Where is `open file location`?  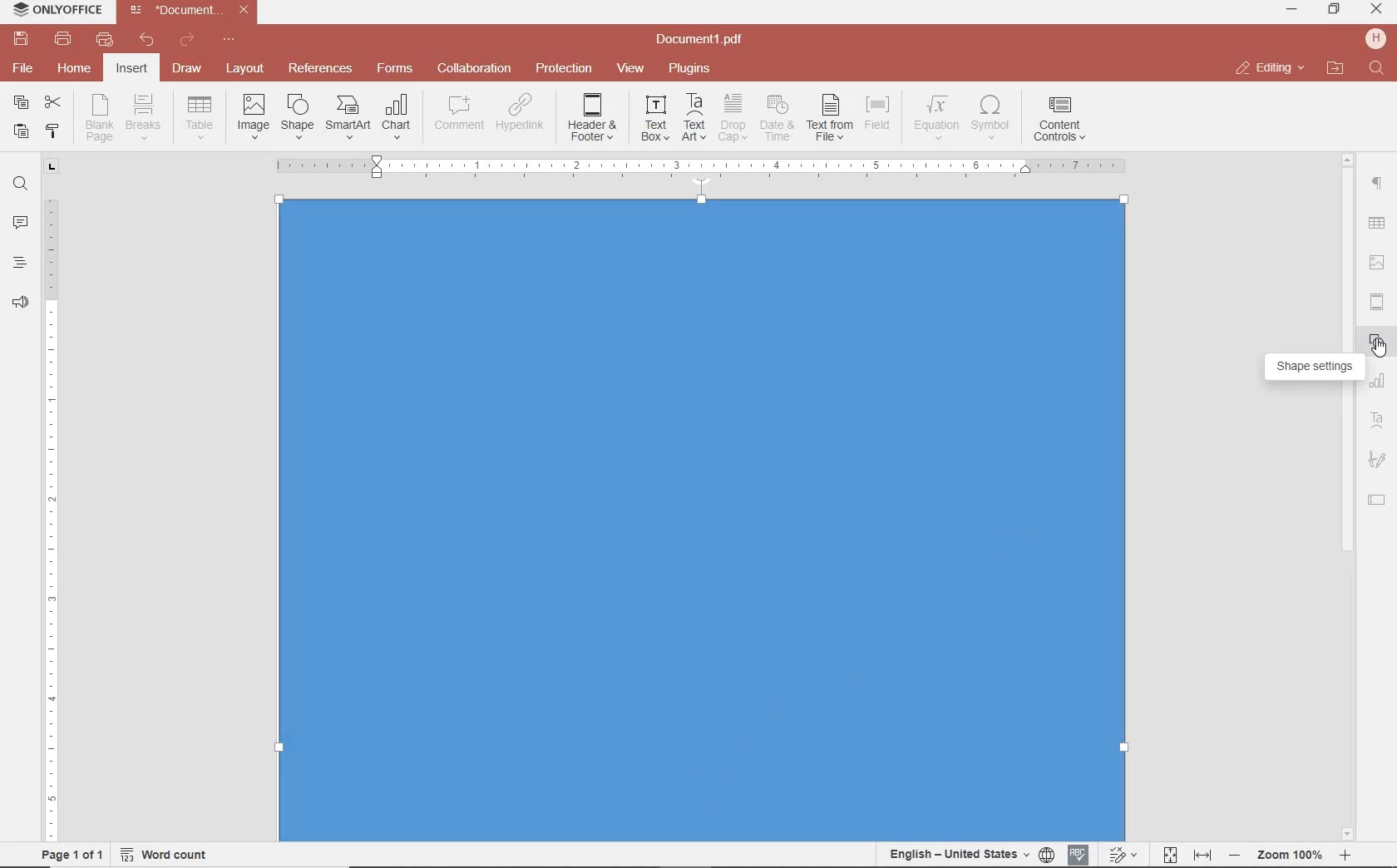 open file location is located at coordinates (1335, 69).